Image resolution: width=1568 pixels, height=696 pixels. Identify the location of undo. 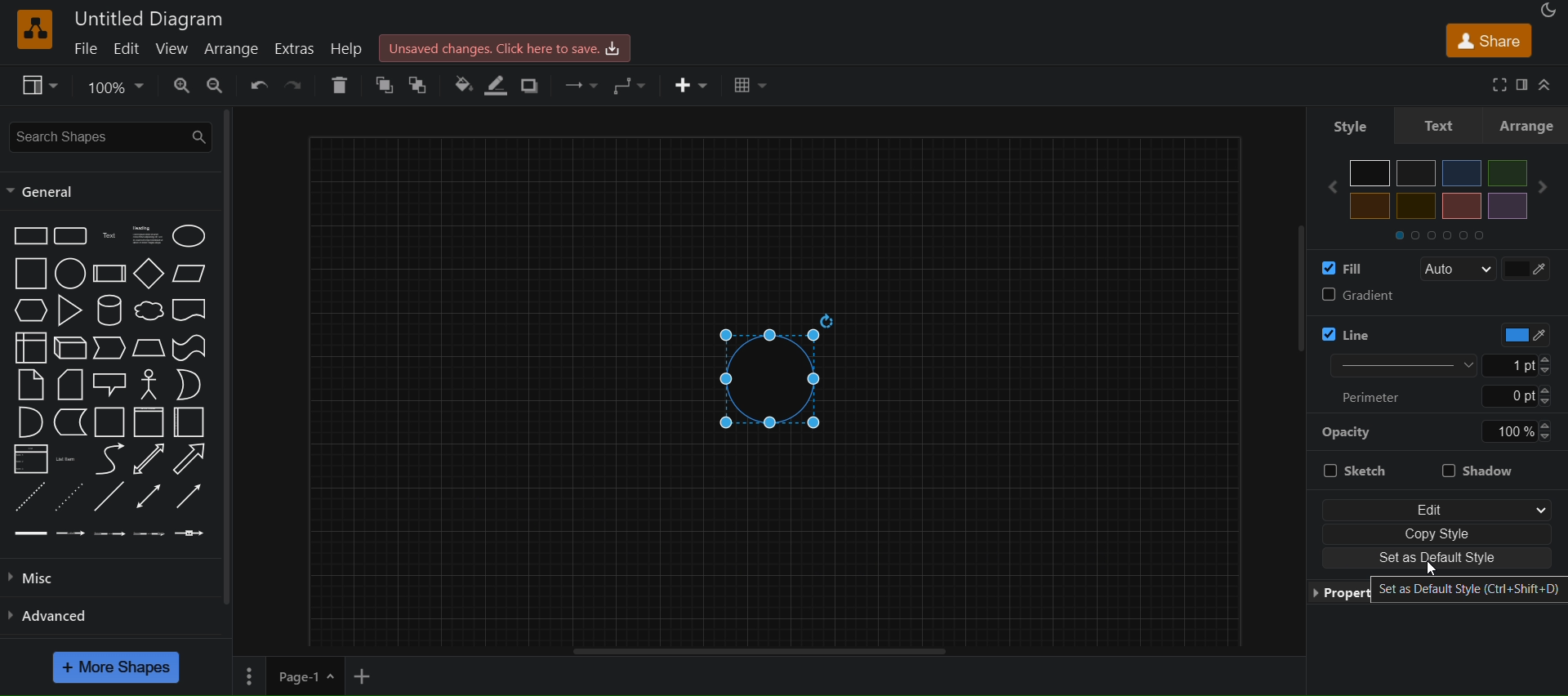
(257, 84).